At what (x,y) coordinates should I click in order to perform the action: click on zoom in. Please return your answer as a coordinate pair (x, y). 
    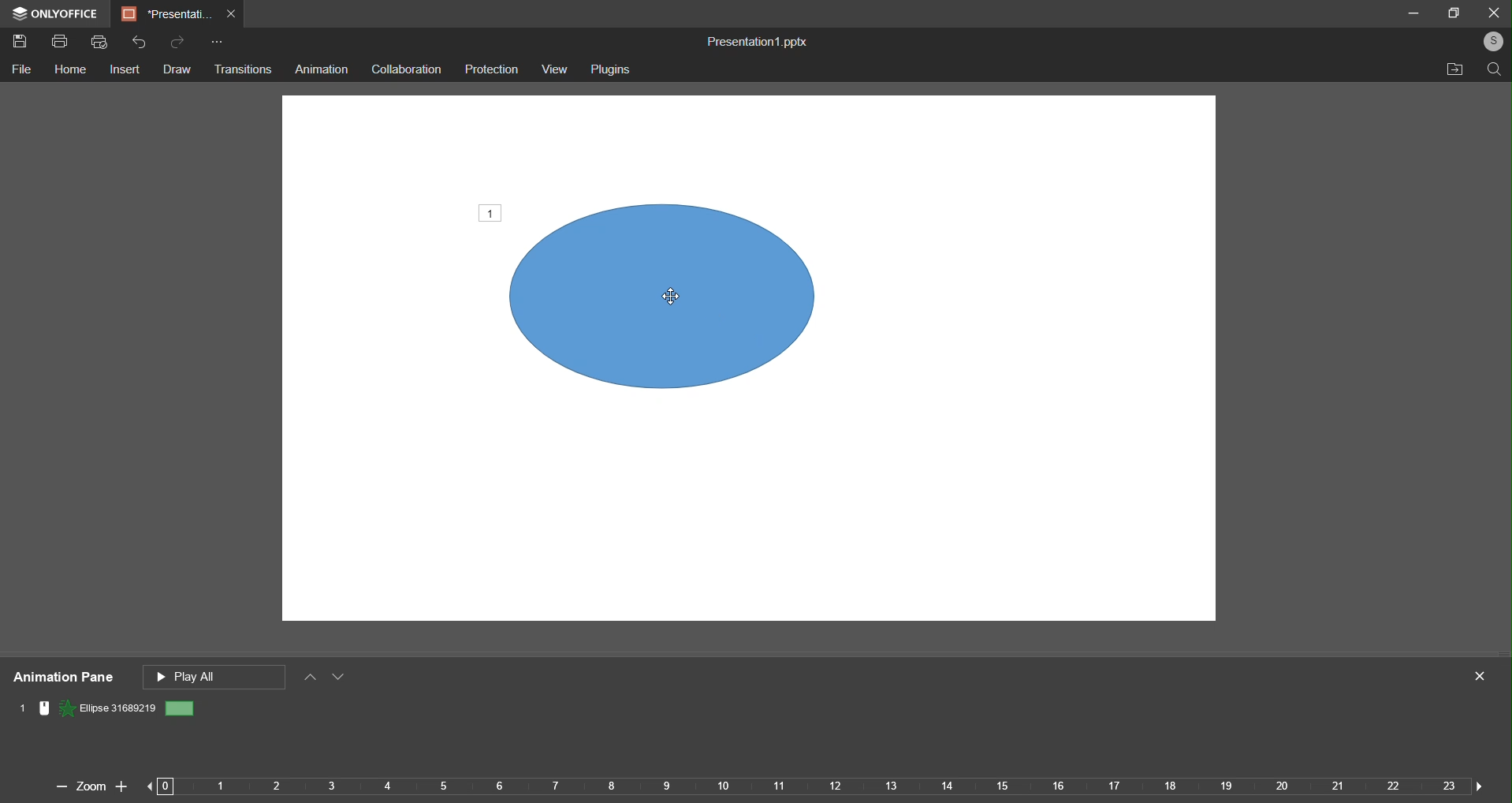
    Looking at the image, I should click on (121, 783).